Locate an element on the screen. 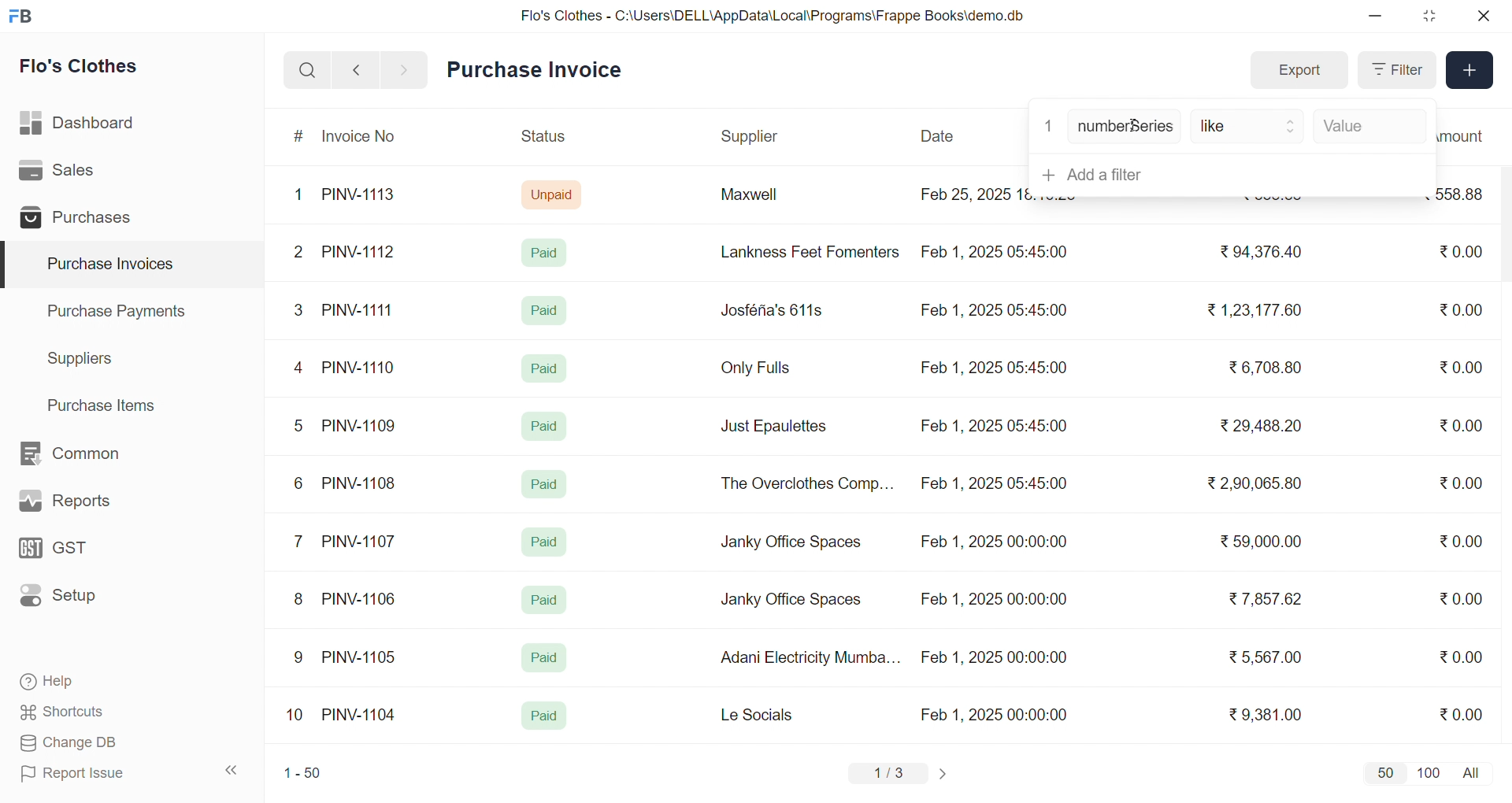 This screenshot has height=803, width=1512. Paid is located at coordinates (543, 367).